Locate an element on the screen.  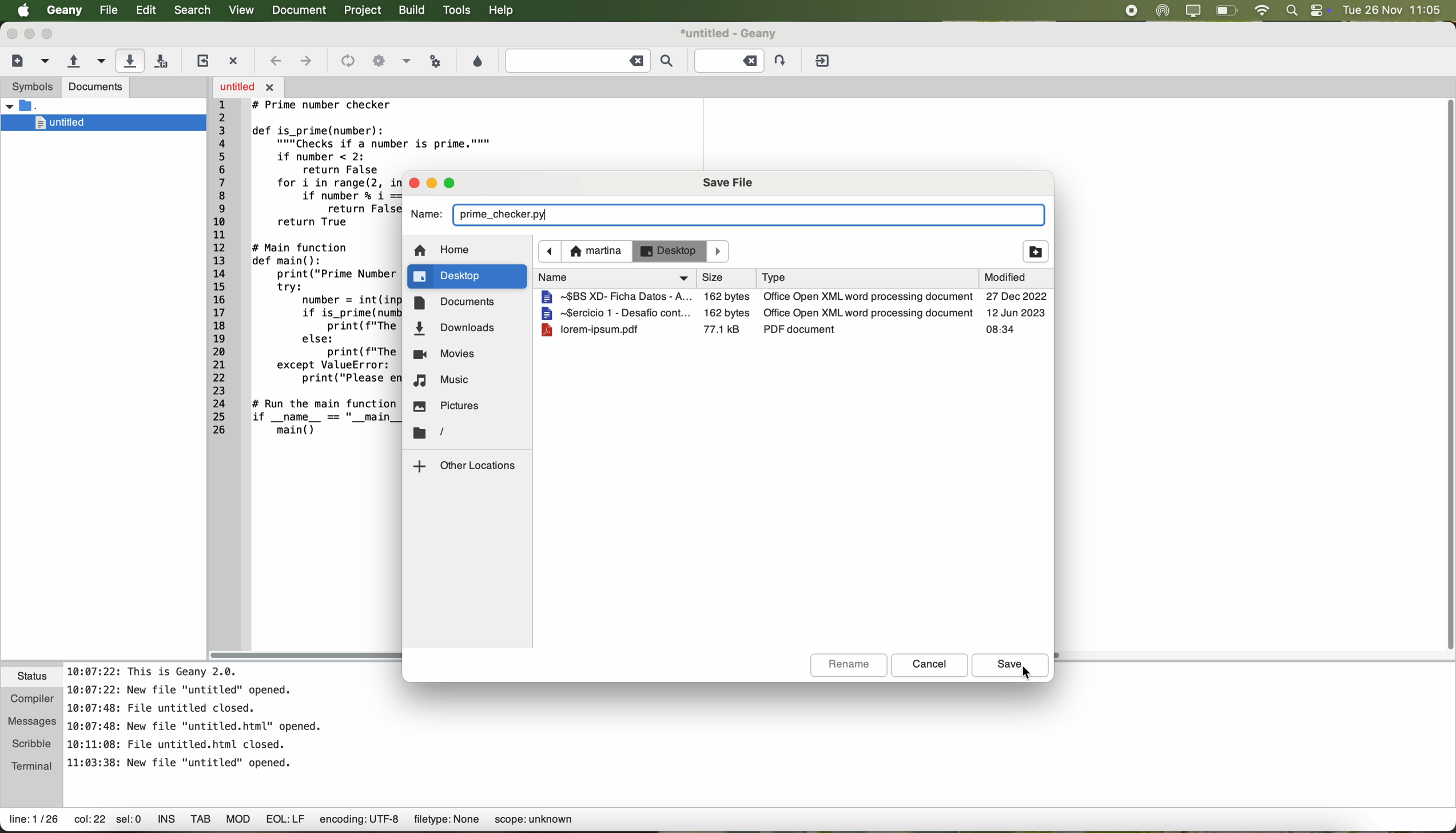
run or view the current file is located at coordinates (437, 61).